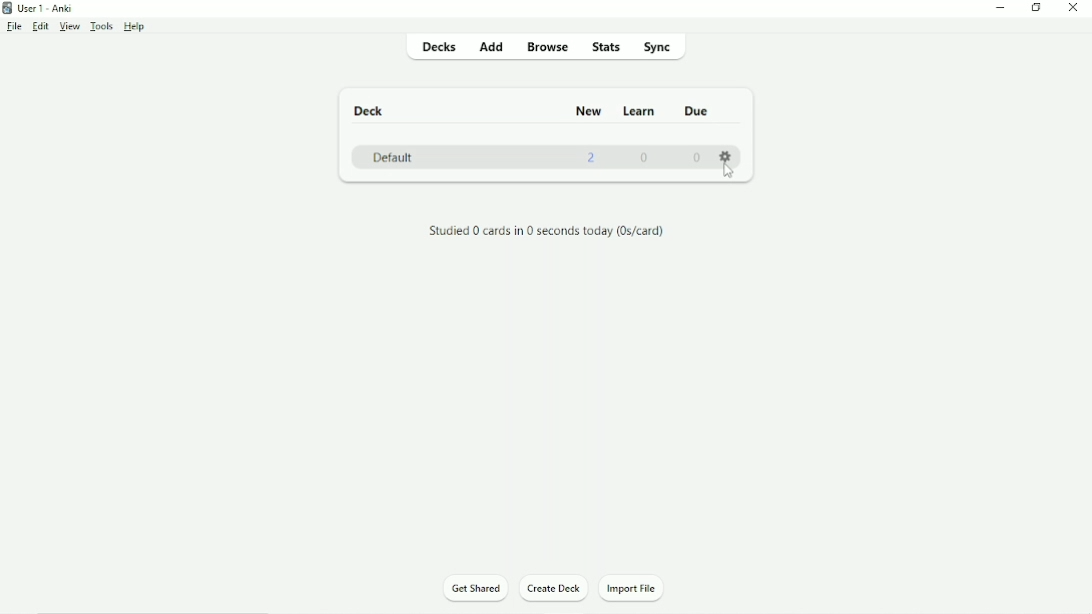 Image resolution: width=1092 pixels, height=614 pixels. I want to click on Studied 0 cards in 0 seconds today., so click(547, 230).